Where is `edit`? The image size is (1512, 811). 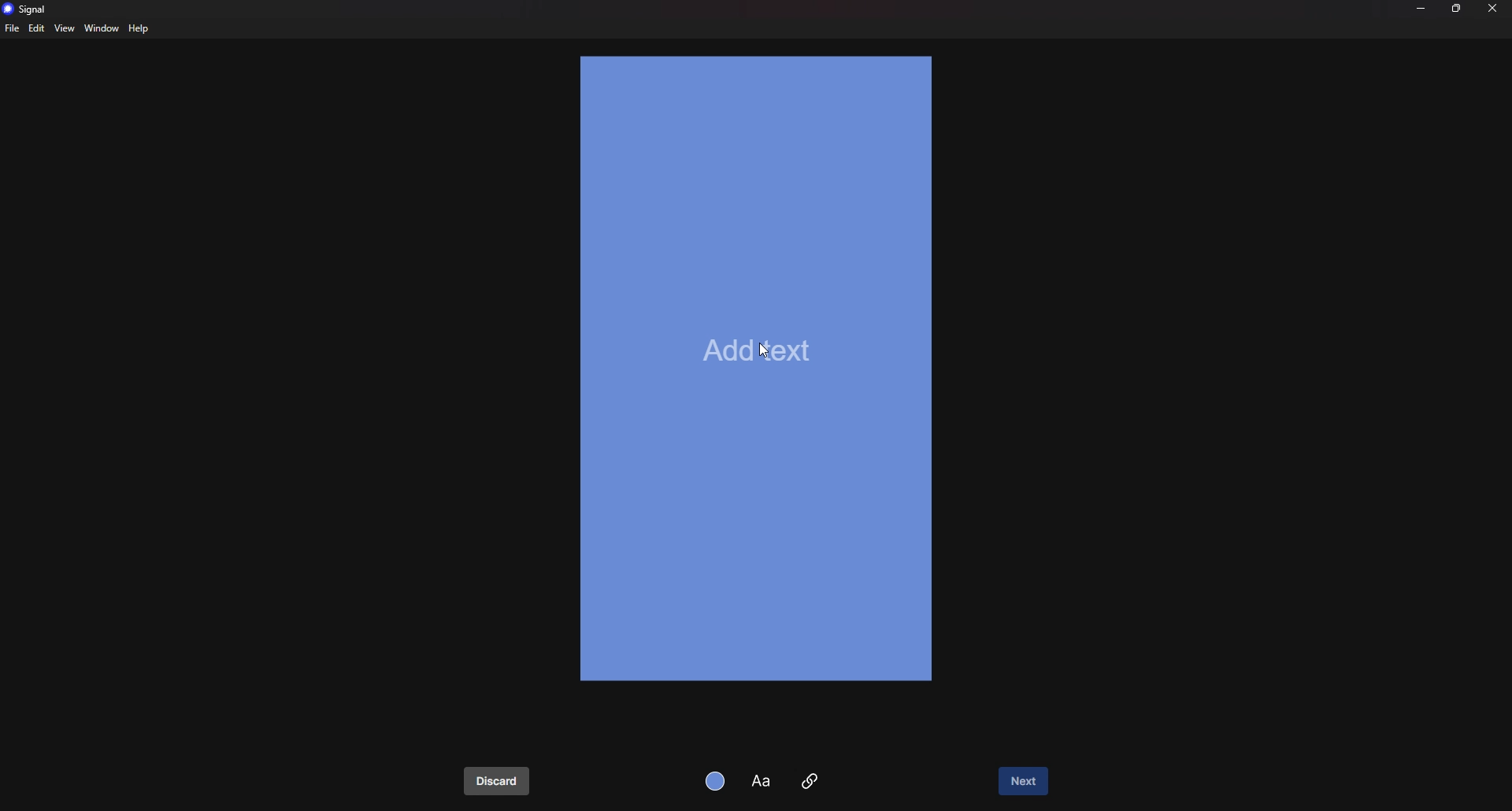
edit is located at coordinates (37, 28).